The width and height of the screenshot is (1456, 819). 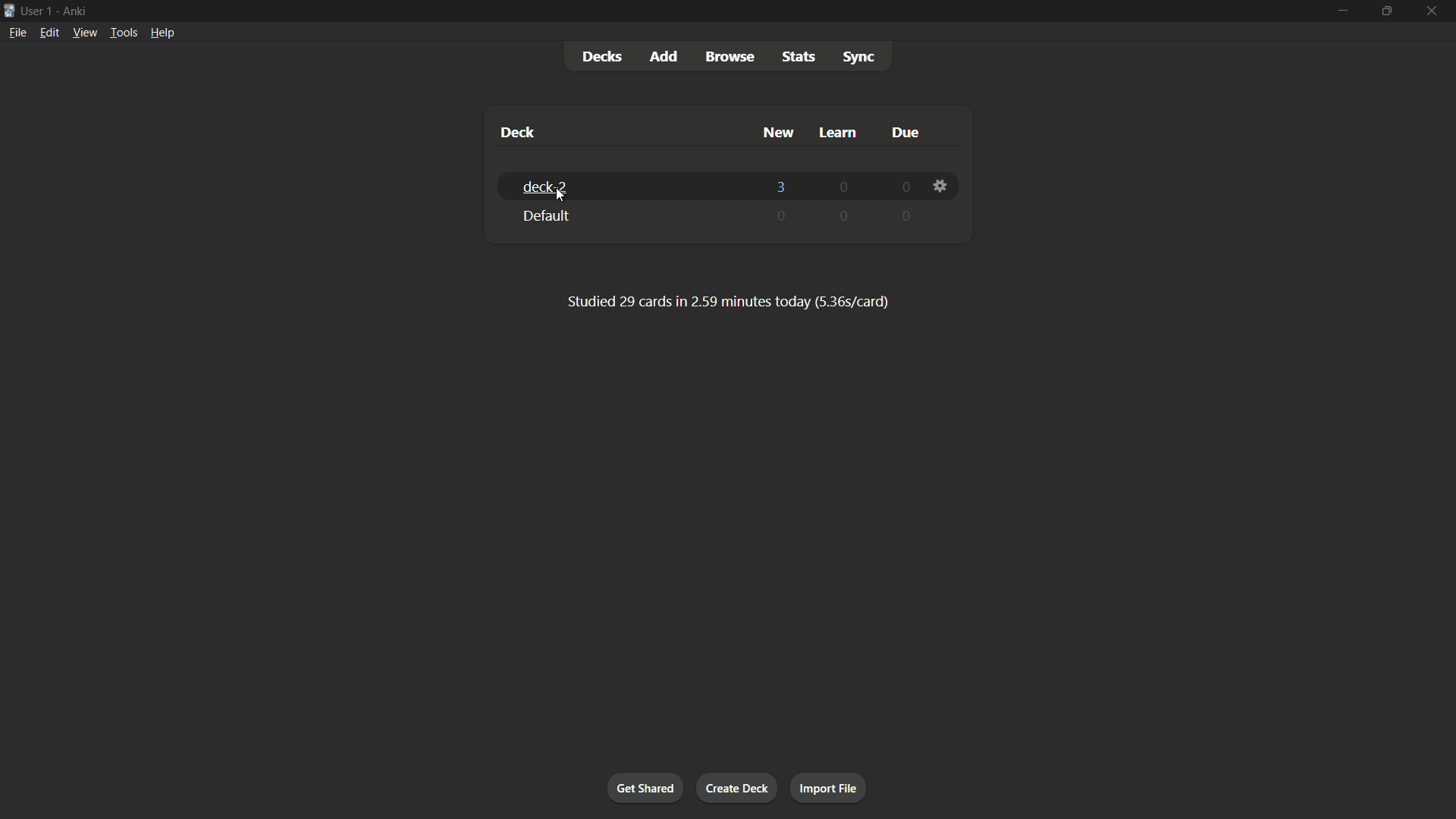 I want to click on 0, so click(x=844, y=218).